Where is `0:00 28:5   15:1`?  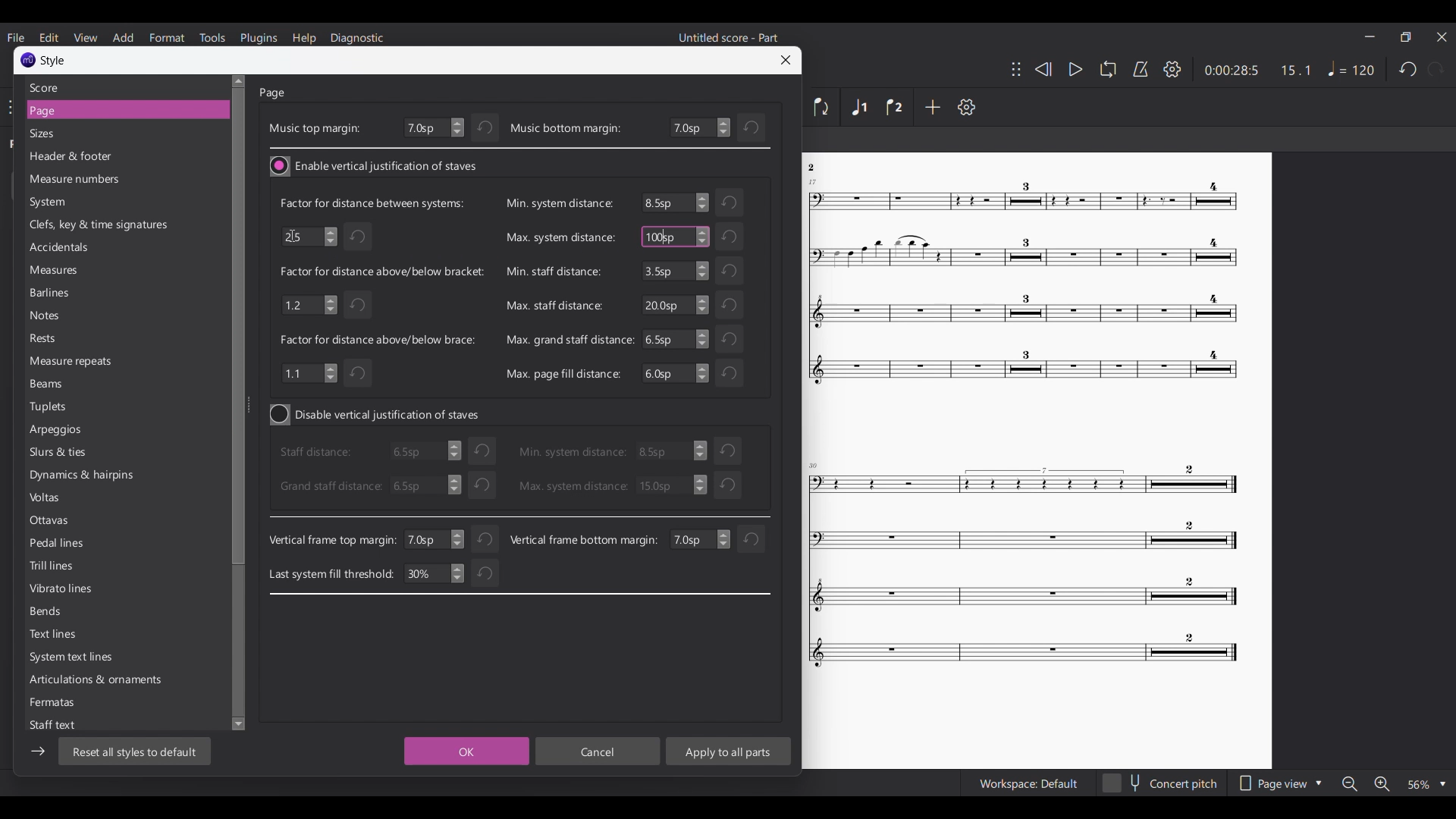 0:00 28:5   15:1 is located at coordinates (1257, 71).